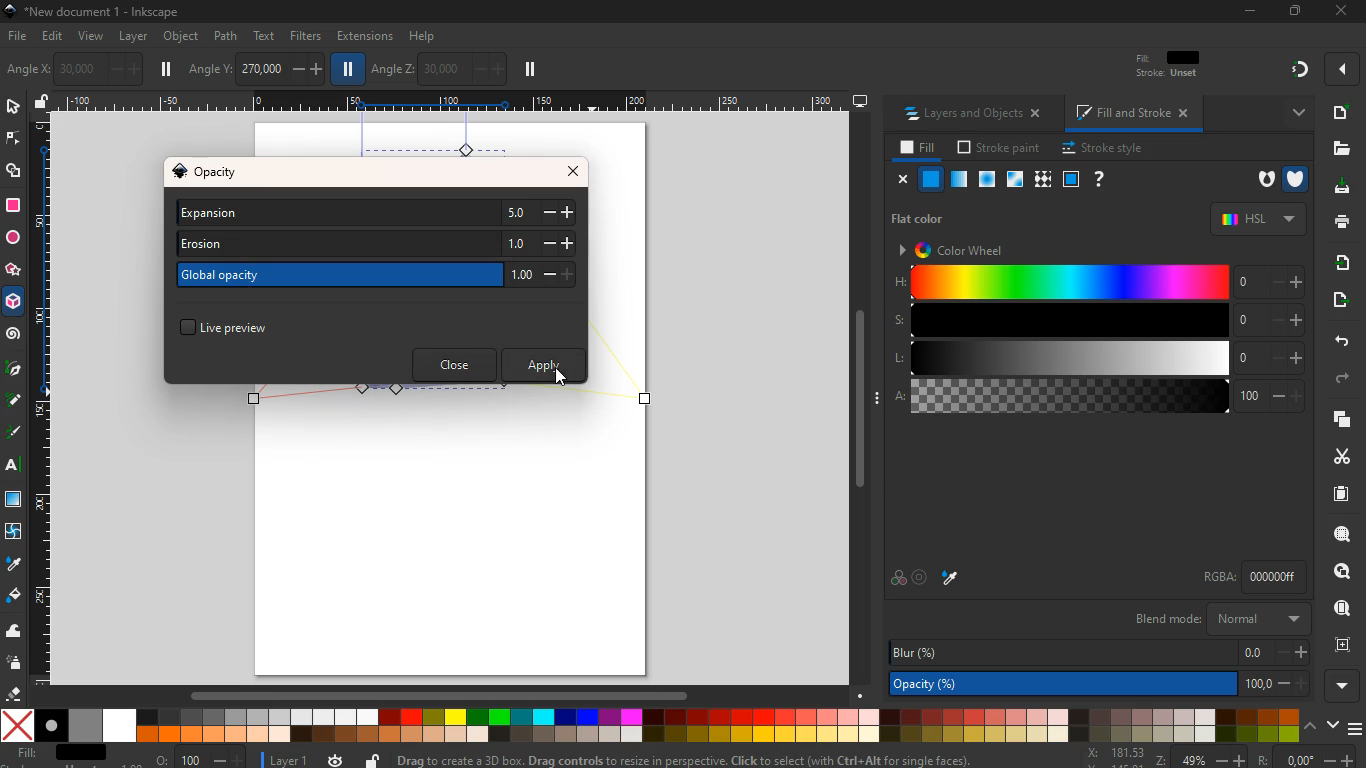 The height and width of the screenshot is (768, 1366). Describe the element at coordinates (921, 577) in the screenshot. I see `target` at that location.